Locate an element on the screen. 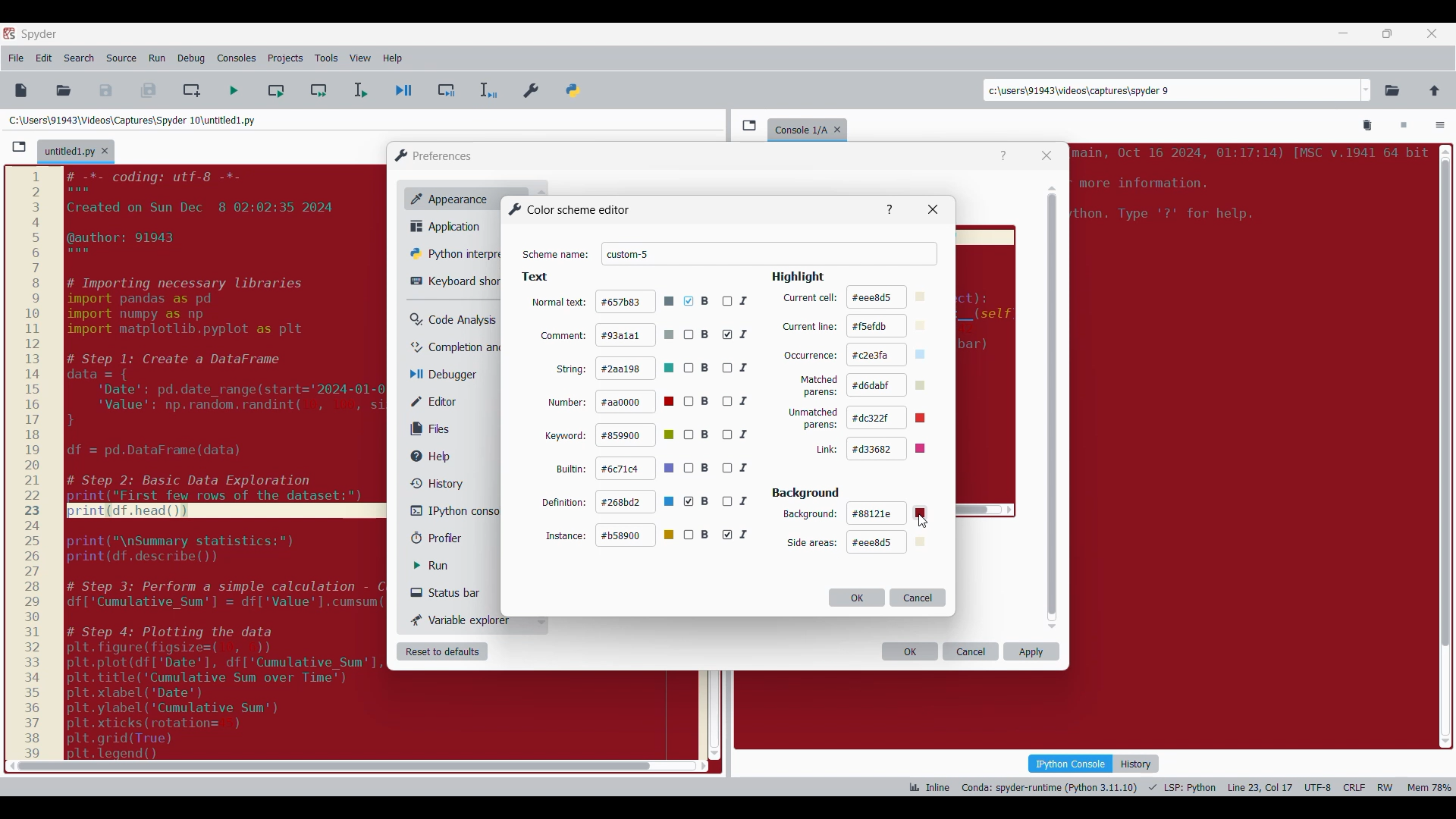 Image resolution: width=1456 pixels, height=819 pixels. B is located at coordinates (698, 501).